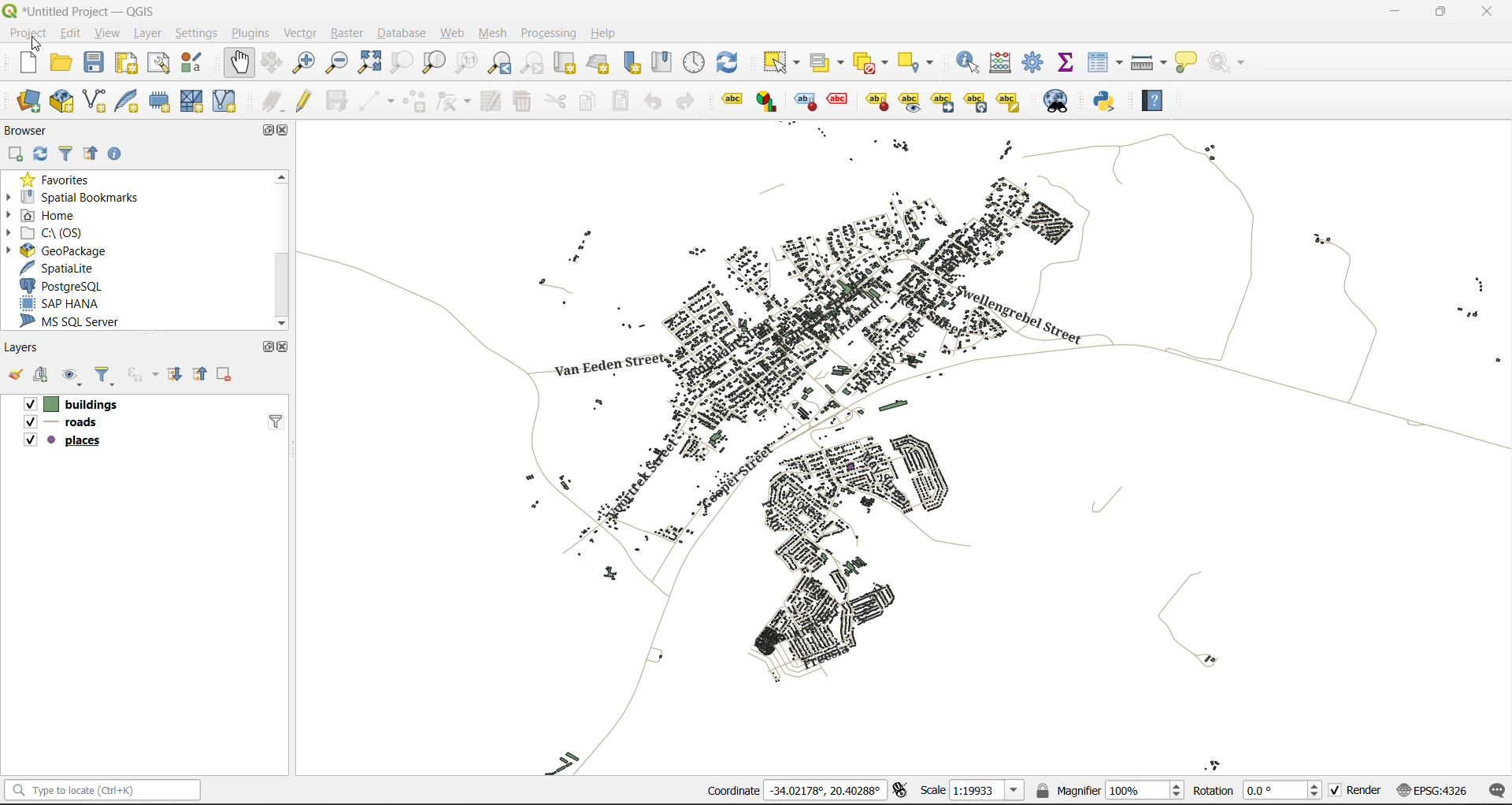  What do you see at coordinates (491, 35) in the screenshot?
I see `mesh` at bounding box center [491, 35].